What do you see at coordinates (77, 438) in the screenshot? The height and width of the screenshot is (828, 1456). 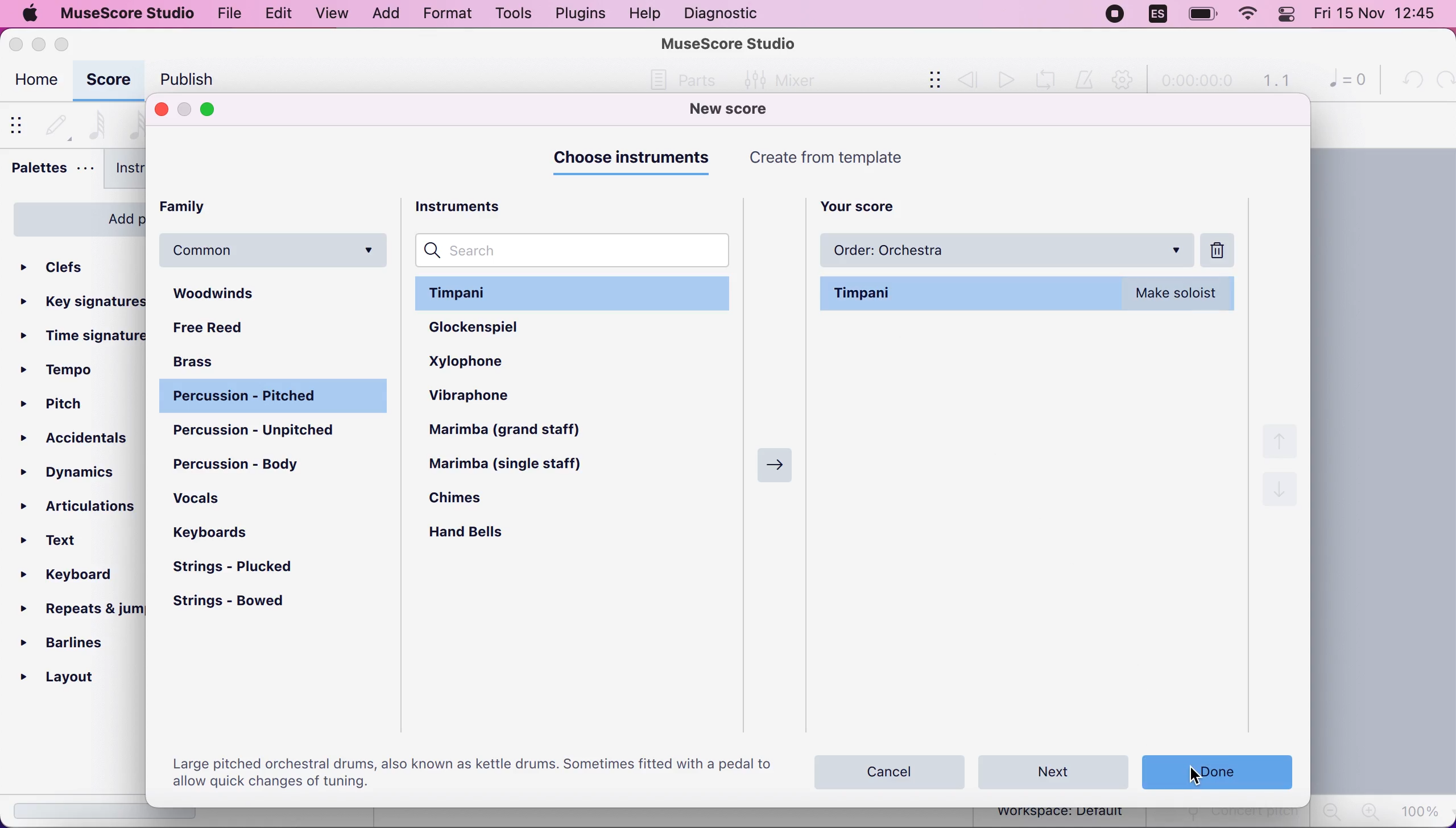 I see `accidentals` at bounding box center [77, 438].